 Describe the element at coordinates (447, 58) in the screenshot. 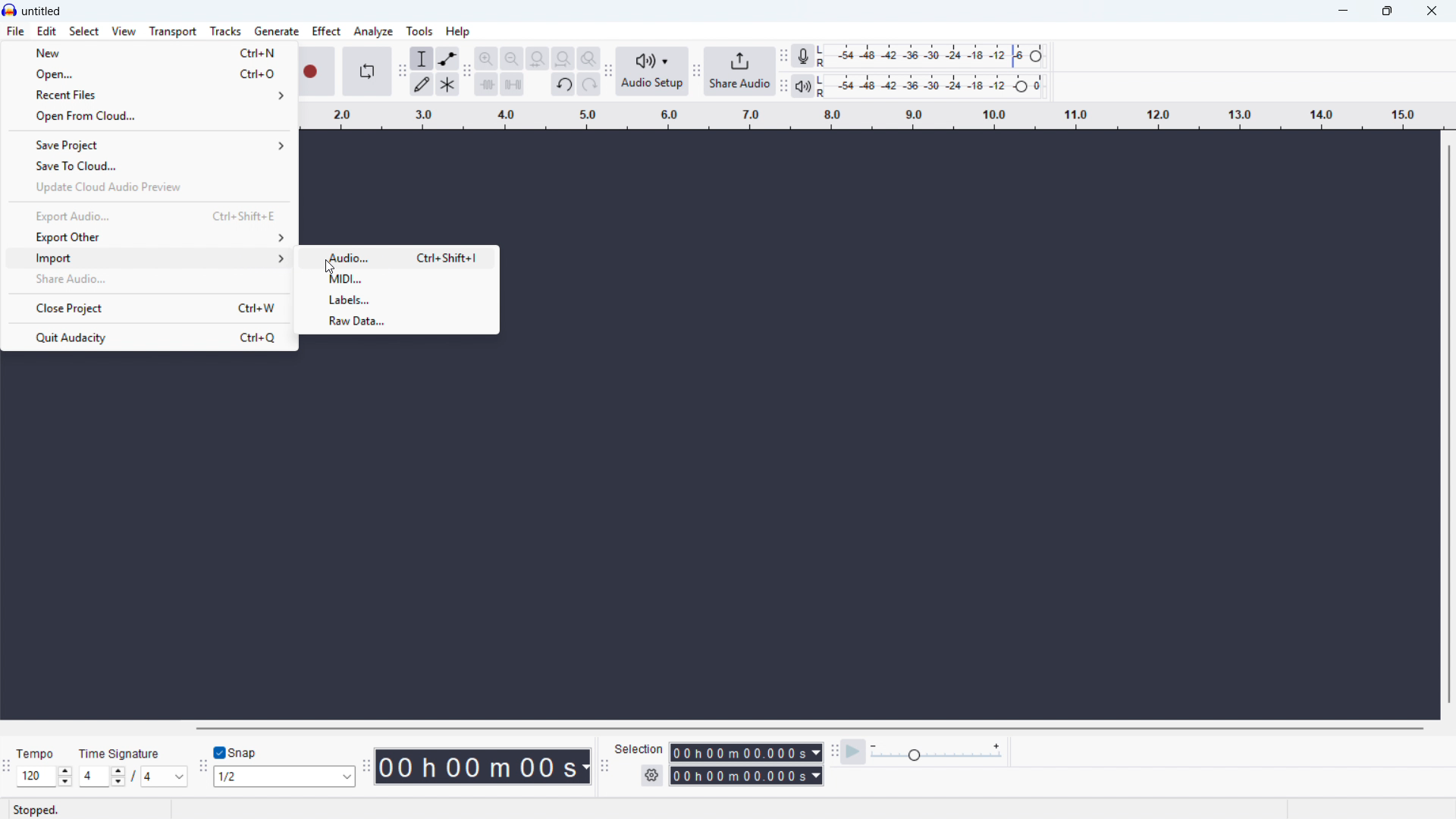

I see `Envelope tool ` at that location.